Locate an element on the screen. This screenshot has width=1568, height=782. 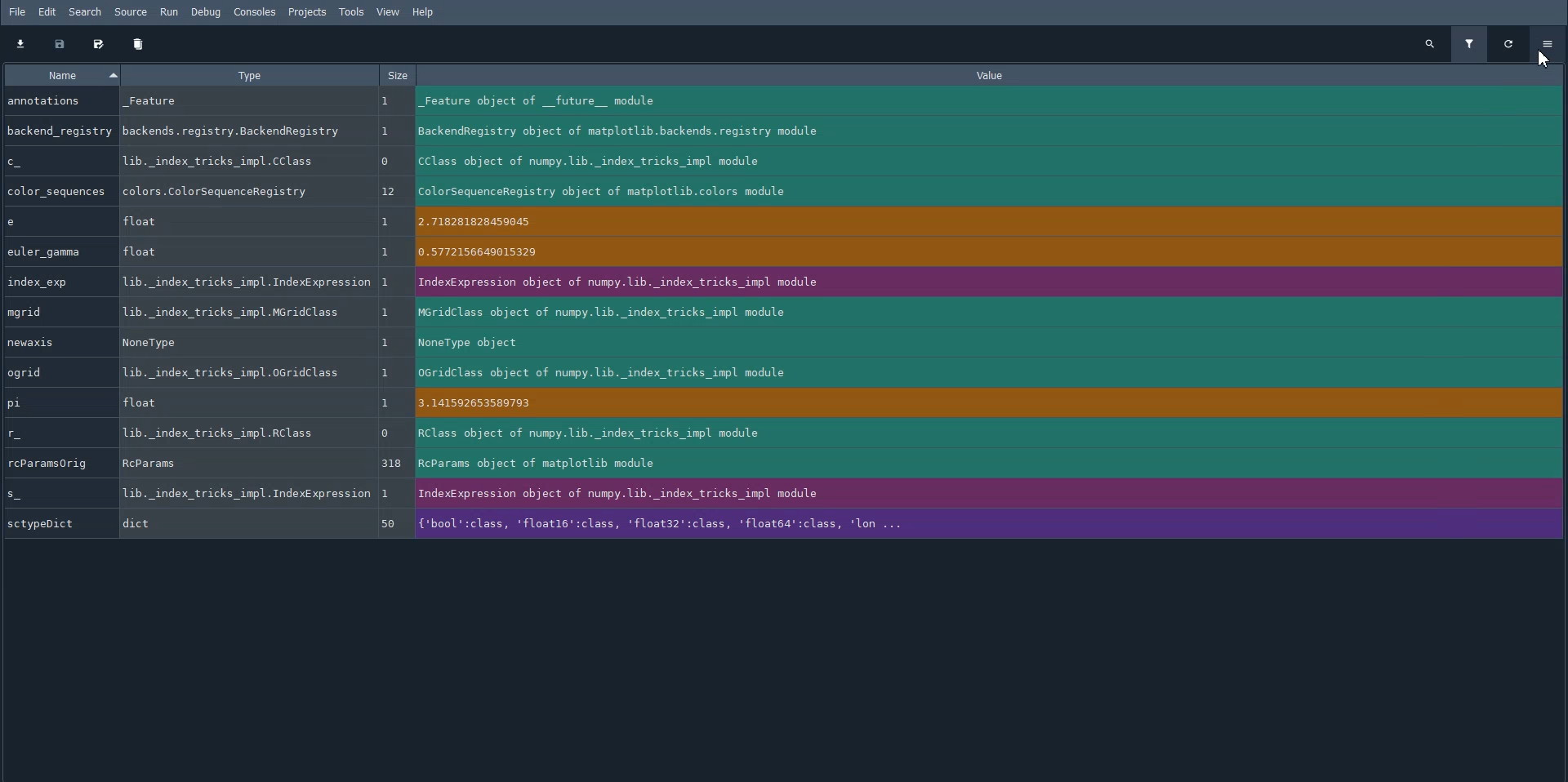
rcparam0rig is located at coordinates (53, 464).